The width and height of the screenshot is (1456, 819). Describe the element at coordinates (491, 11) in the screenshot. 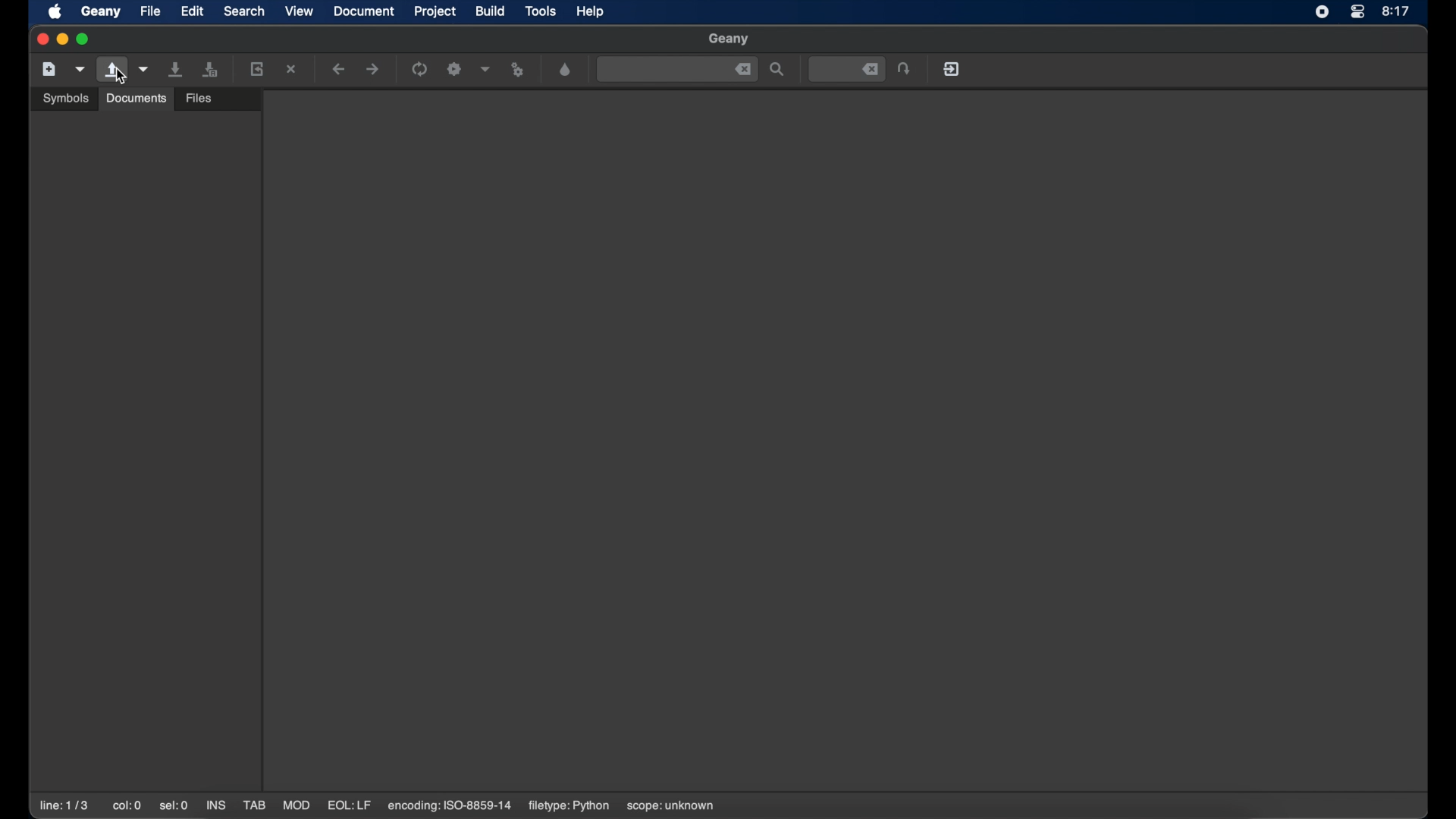

I see `build` at that location.